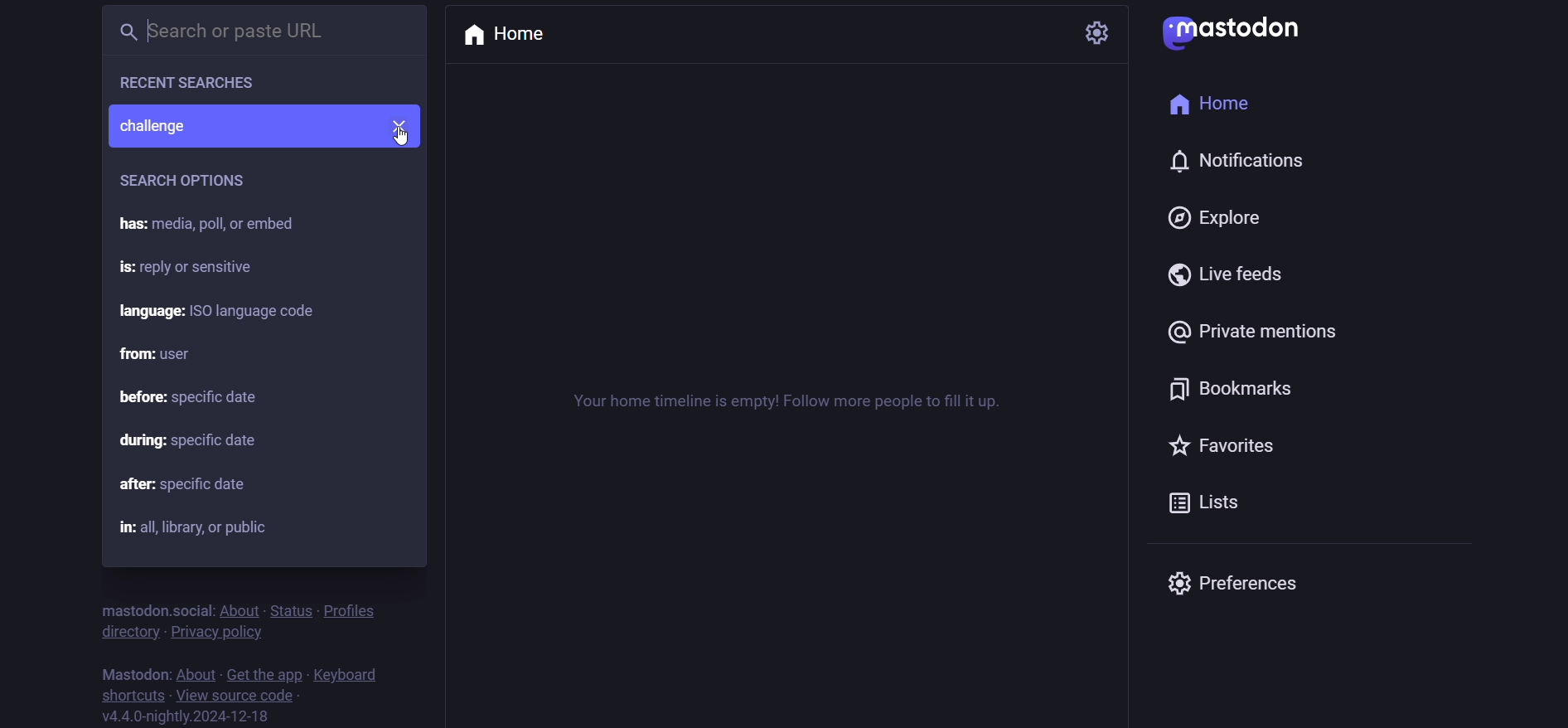 The width and height of the screenshot is (1568, 728). Describe the element at coordinates (1217, 216) in the screenshot. I see `explore` at that location.